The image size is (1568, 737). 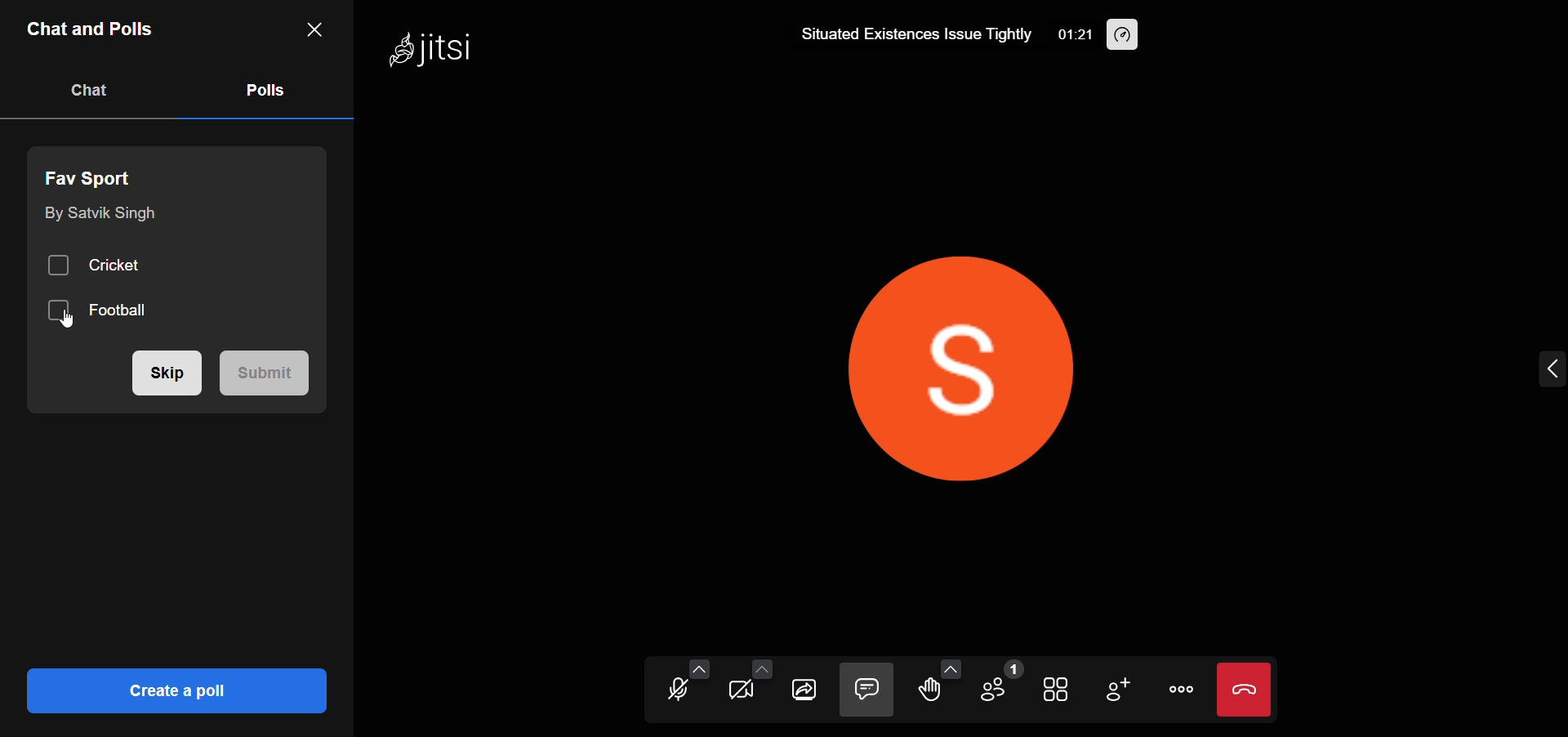 I want to click on 01:21, so click(x=1074, y=34).